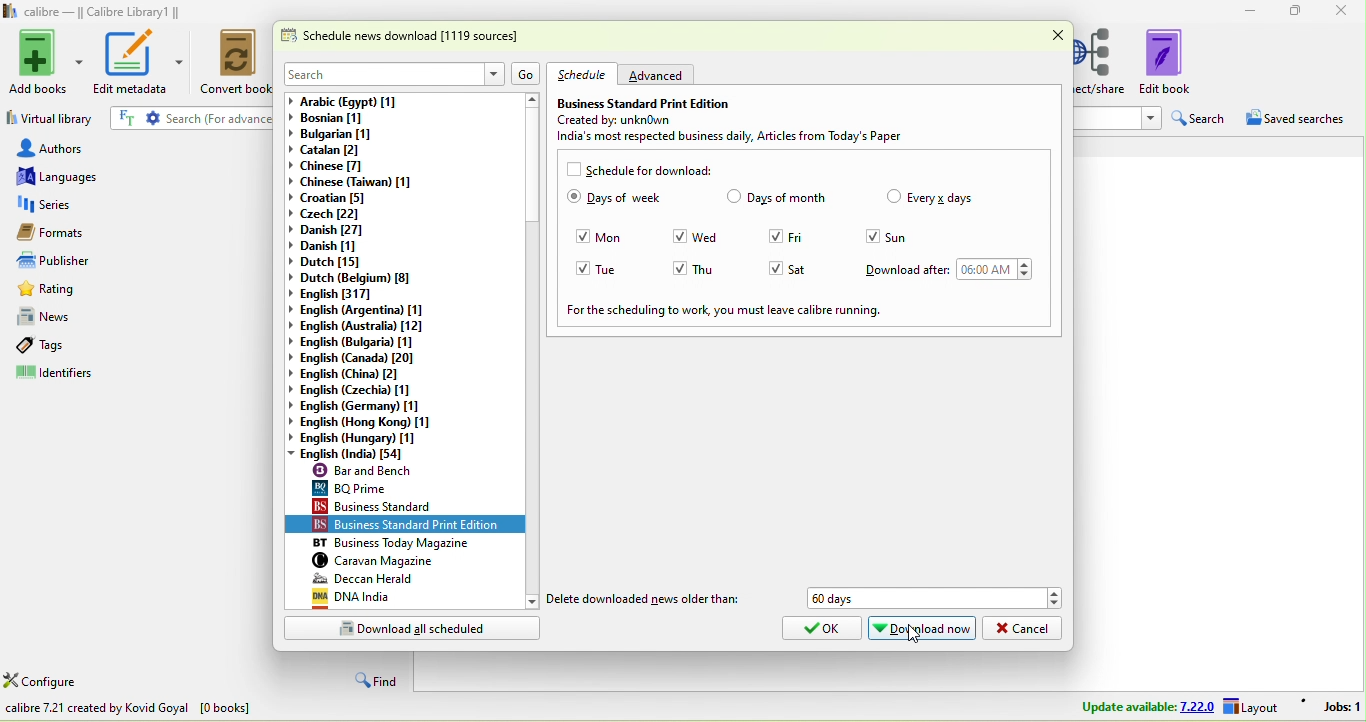 This screenshot has width=1366, height=722. What do you see at coordinates (1024, 271) in the screenshot?
I see `Drop down` at bounding box center [1024, 271].